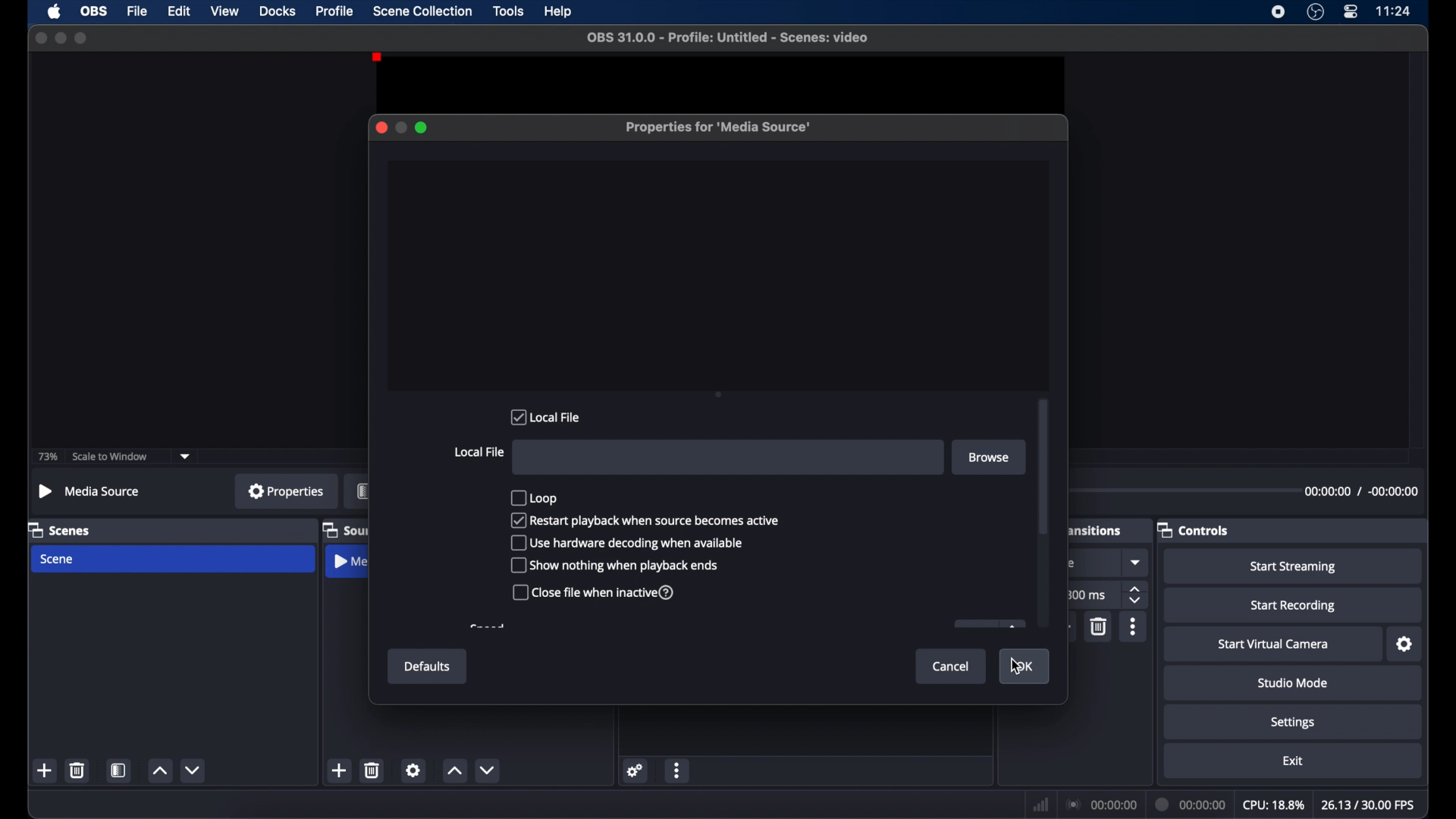 The image size is (1456, 819). I want to click on obs studio, so click(1314, 12).